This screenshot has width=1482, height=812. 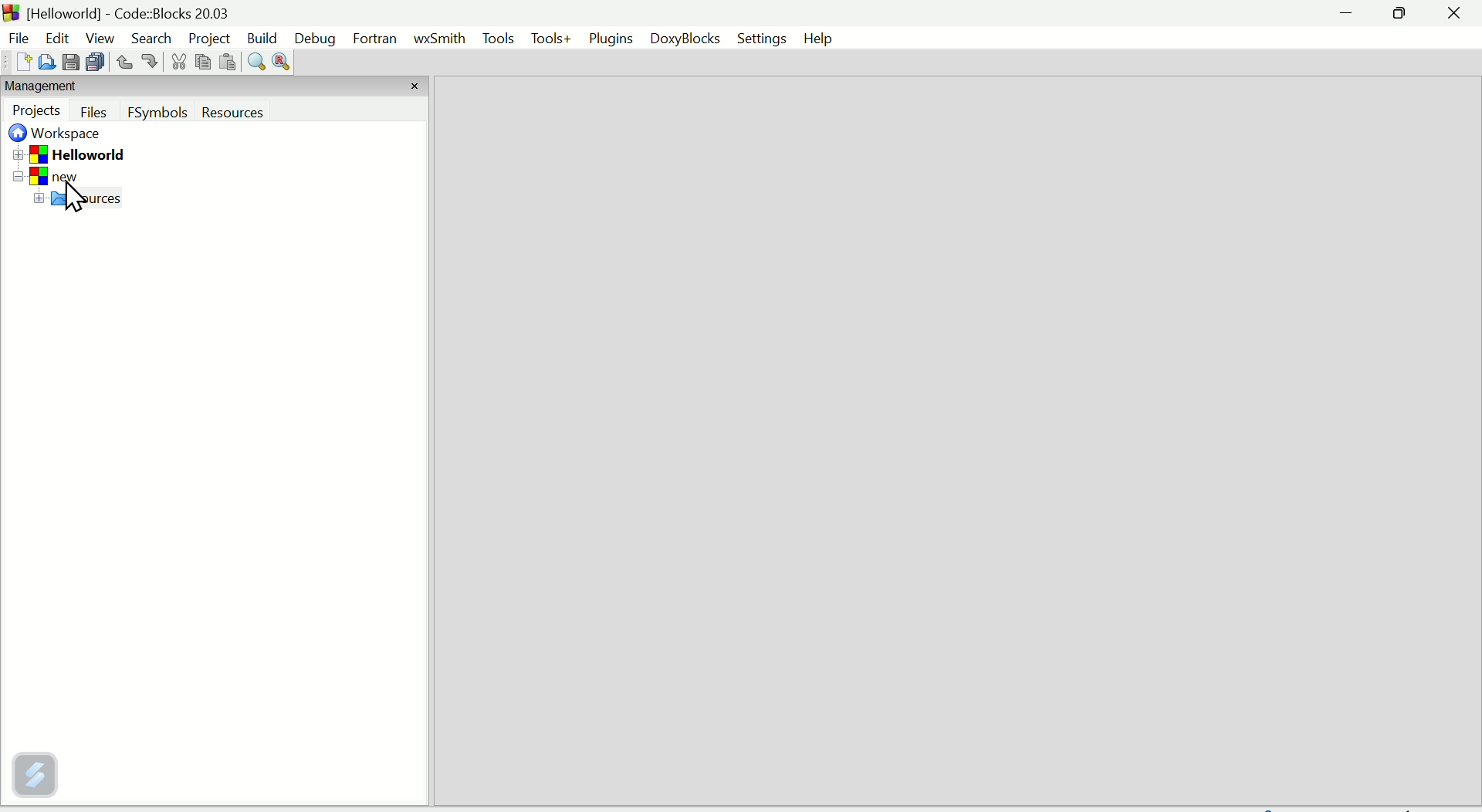 What do you see at coordinates (96, 112) in the screenshot?
I see `` at bounding box center [96, 112].